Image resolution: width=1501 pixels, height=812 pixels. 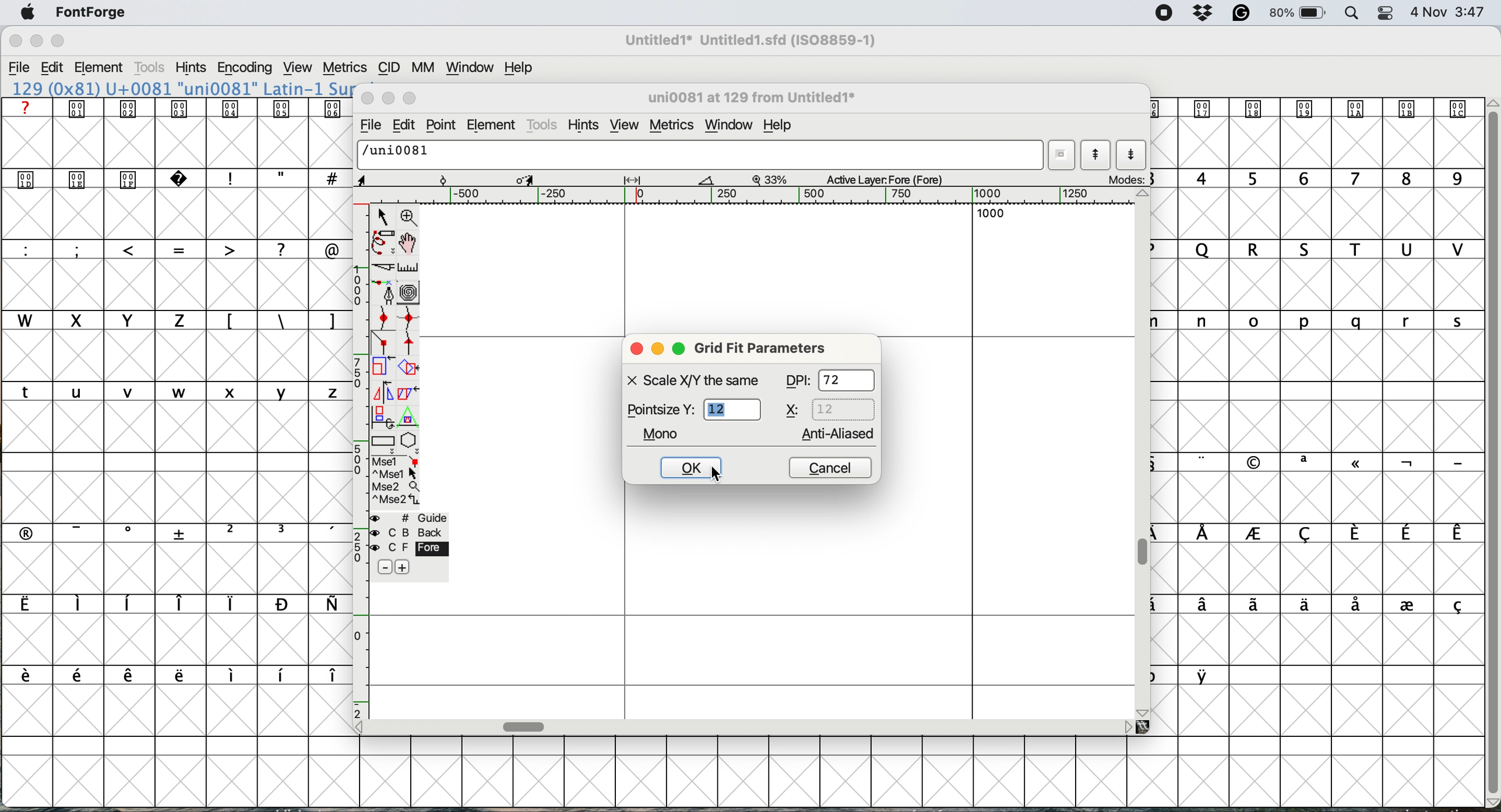 What do you see at coordinates (677, 351) in the screenshot?
I see `maximise` at bounding box center [677, 351].